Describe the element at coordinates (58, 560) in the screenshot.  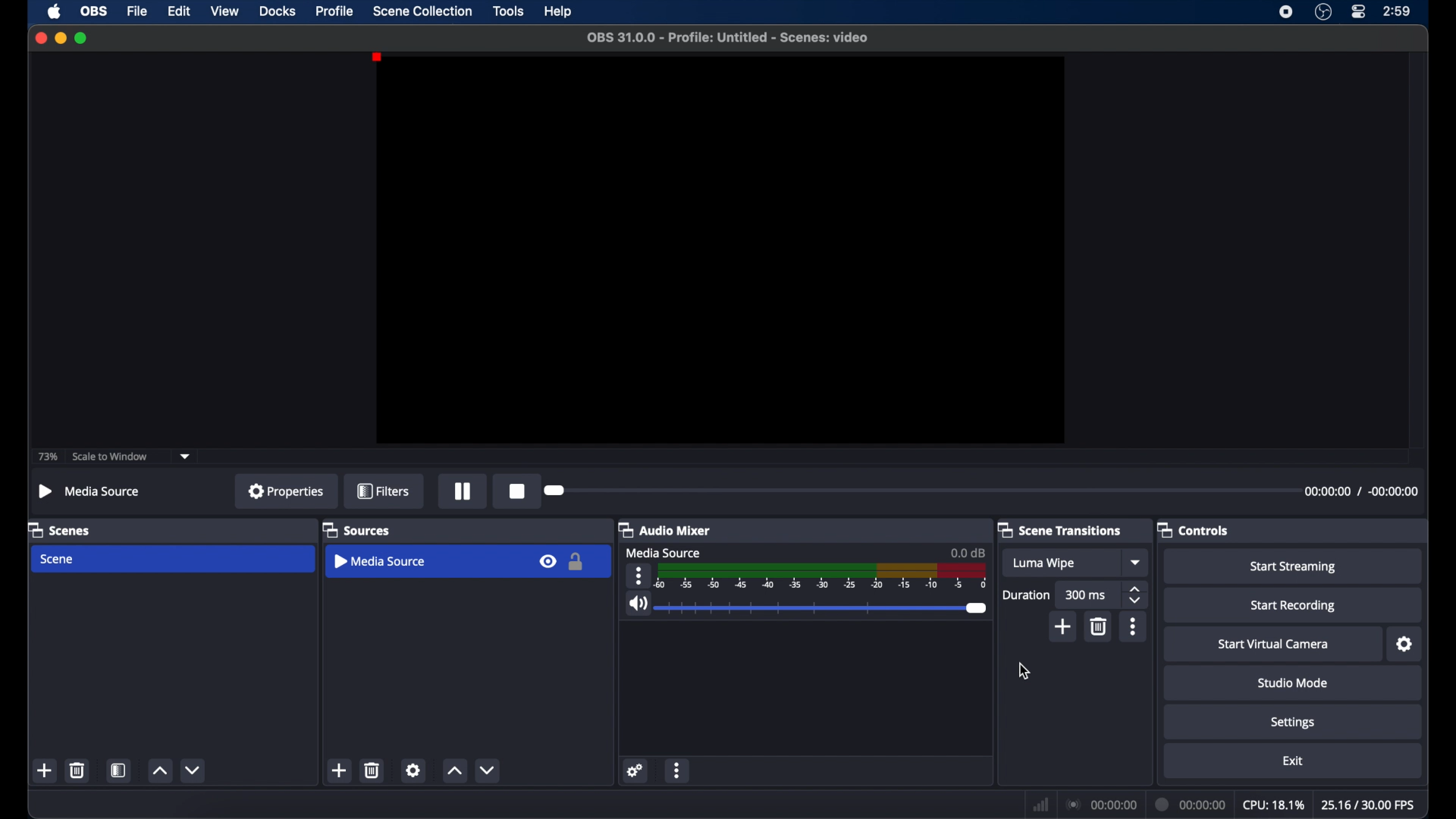
I see `scene` at that location.